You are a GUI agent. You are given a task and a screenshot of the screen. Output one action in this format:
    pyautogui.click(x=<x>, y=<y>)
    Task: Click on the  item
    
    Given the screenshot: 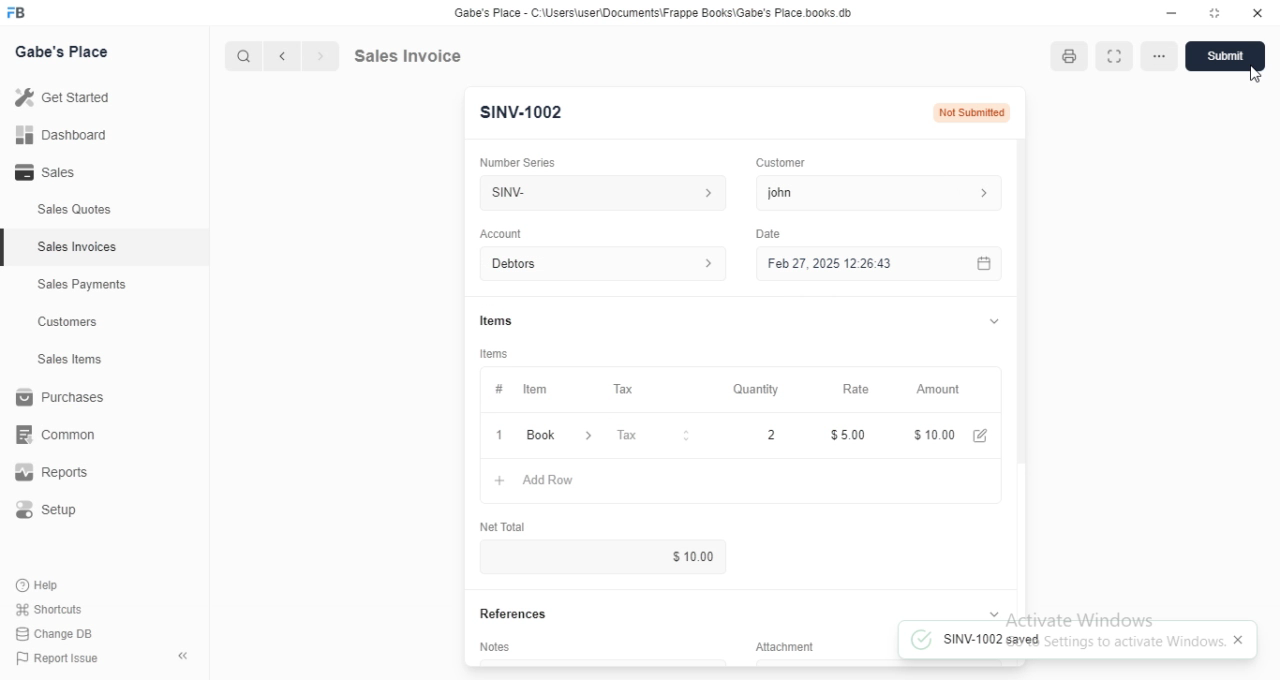 What is the action you would take?
    pyautogui.click(x=538, y=389)
    